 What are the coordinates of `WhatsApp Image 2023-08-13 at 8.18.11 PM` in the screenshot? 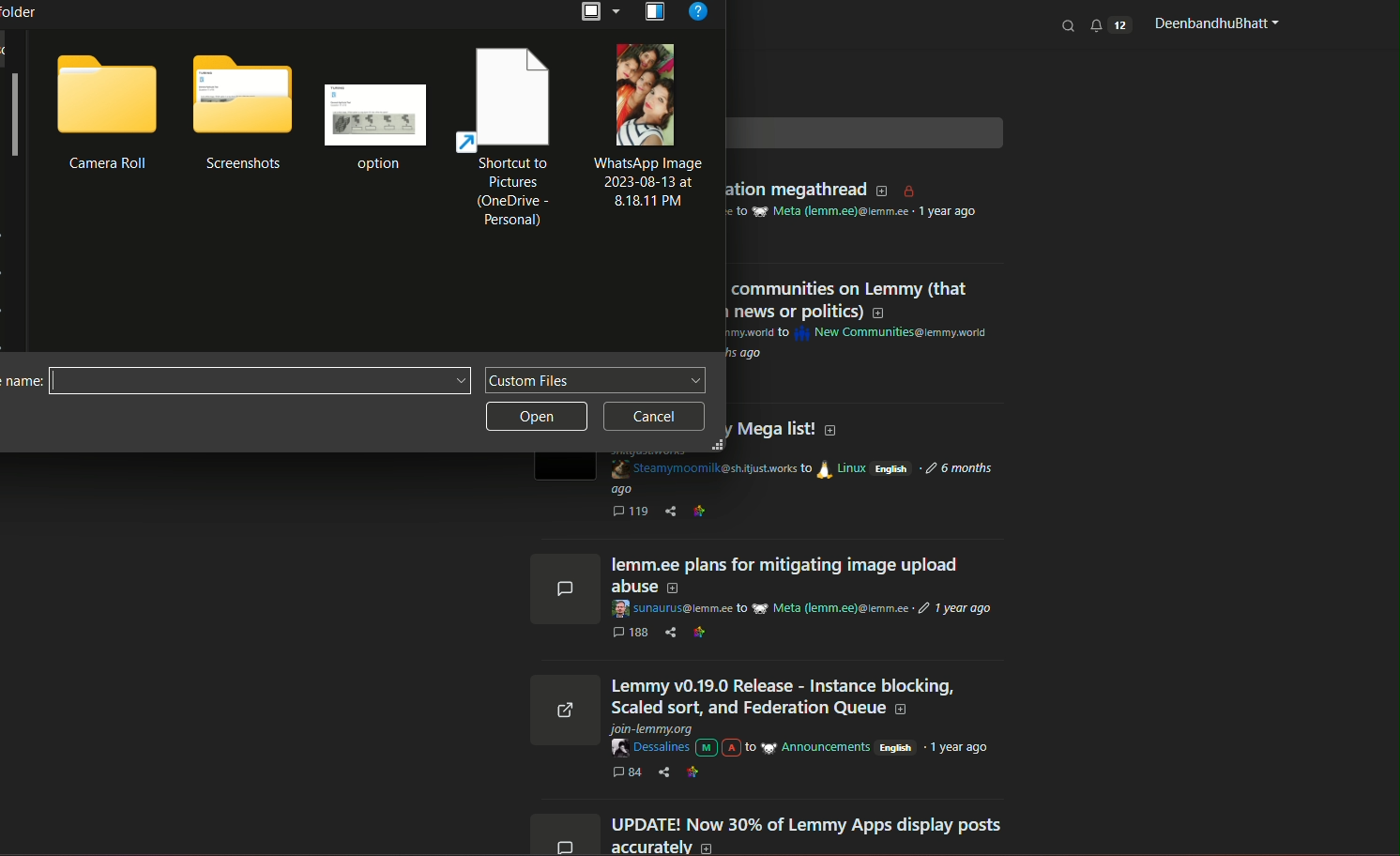 It's located at (645, 183).